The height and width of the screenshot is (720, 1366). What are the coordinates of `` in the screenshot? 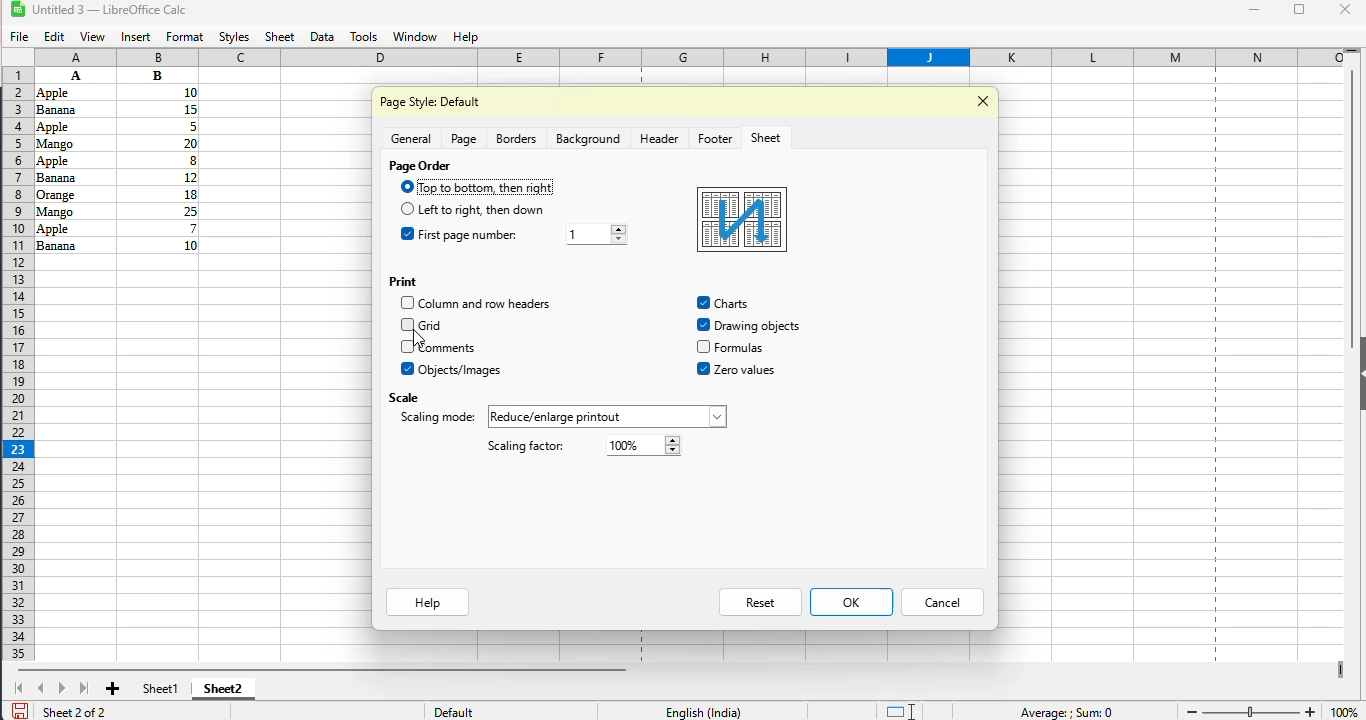 It's located at (74, 210).